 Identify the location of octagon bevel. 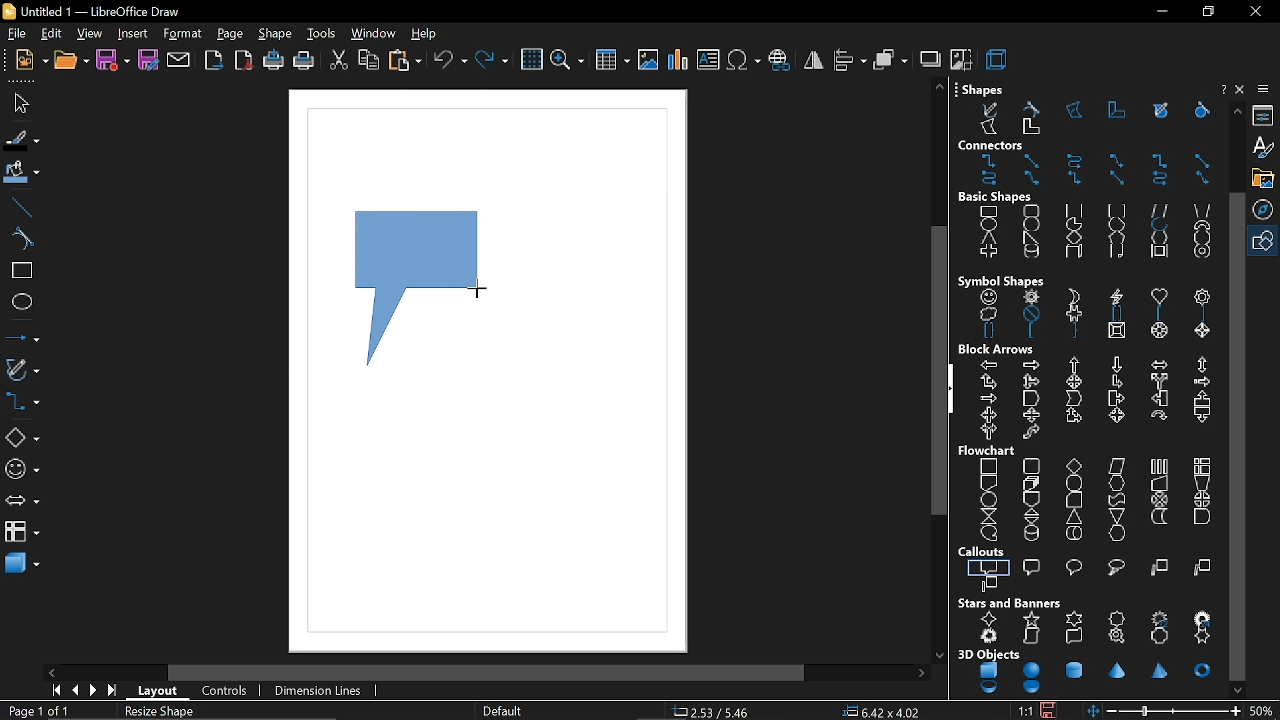
(1161, 332).